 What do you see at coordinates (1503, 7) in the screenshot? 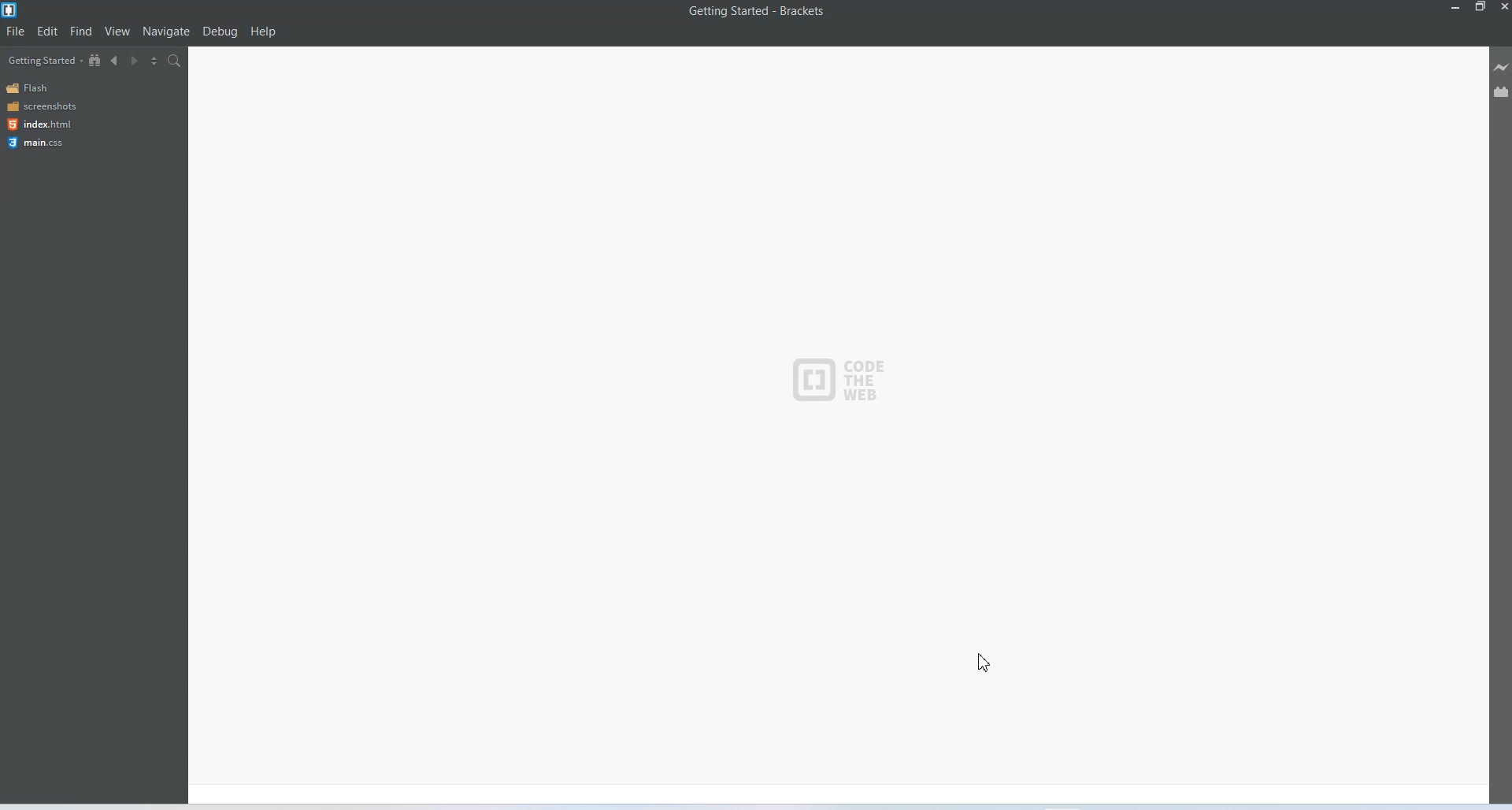
I see `Close` at bounding box center [1503, 7].